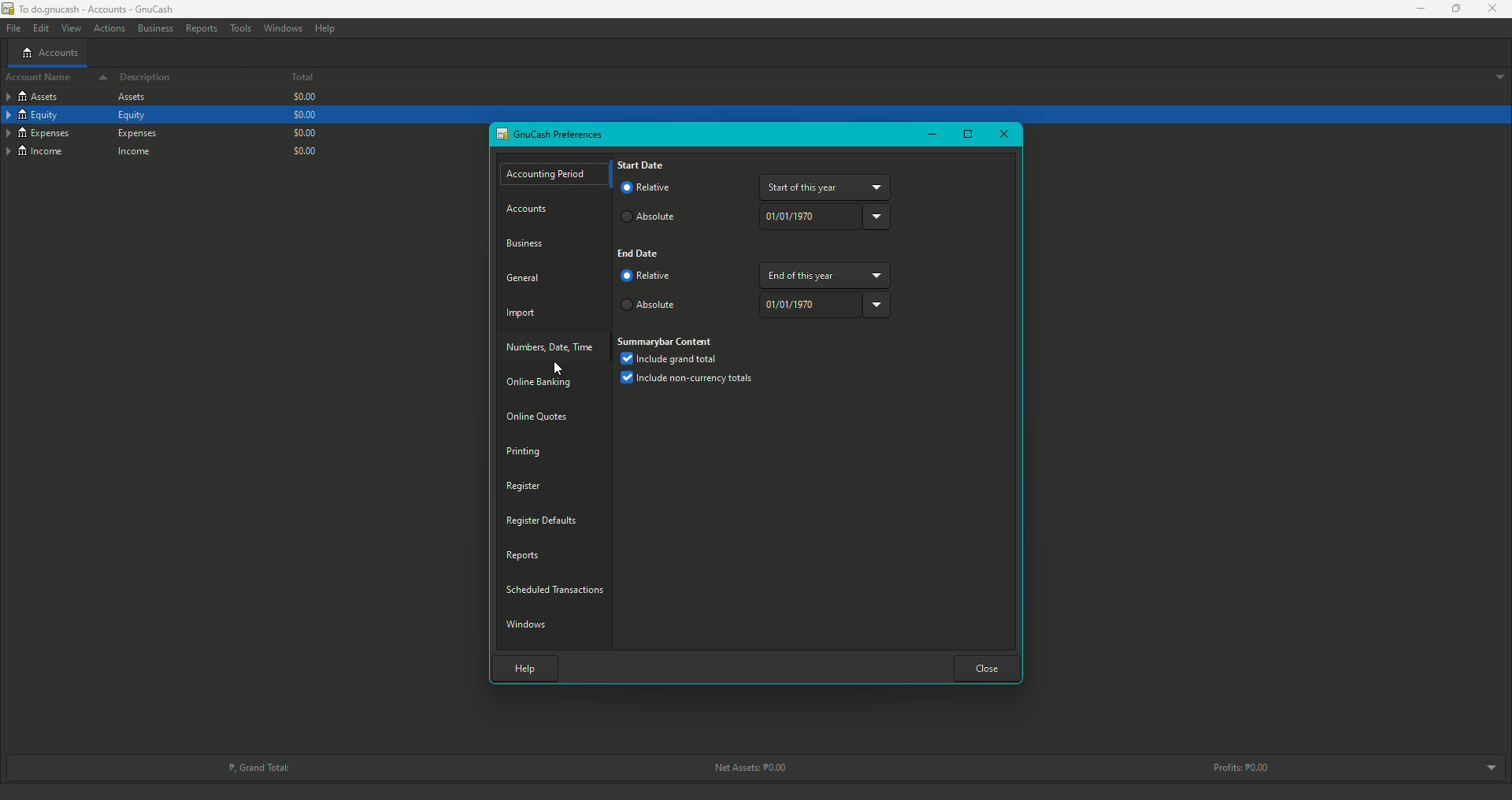  What do you see at coordinates (1002, 135) in the screenshot?
I see `Close` at bounding box center [1002, 135].